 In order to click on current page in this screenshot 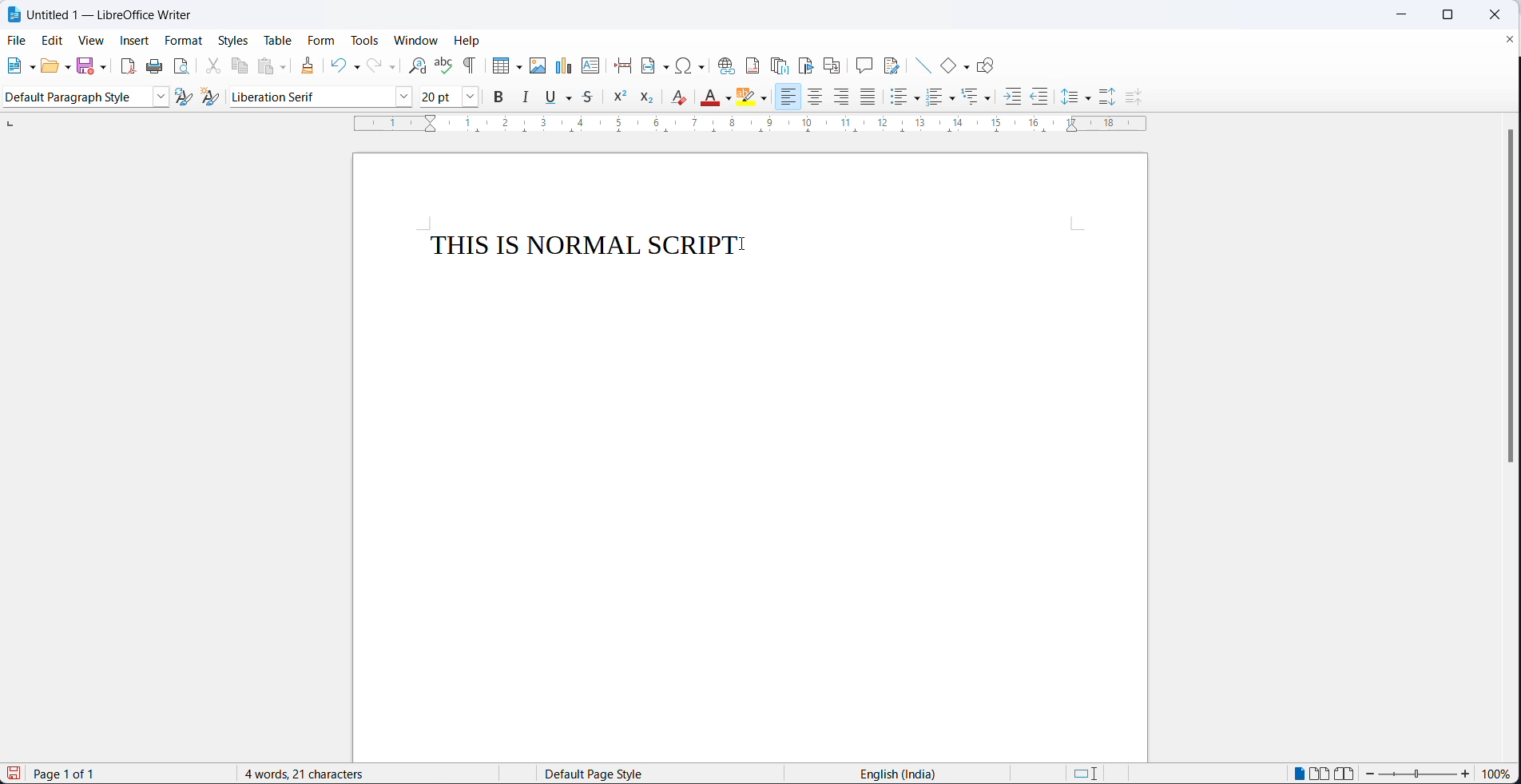, I will do `click(77, 774)`.